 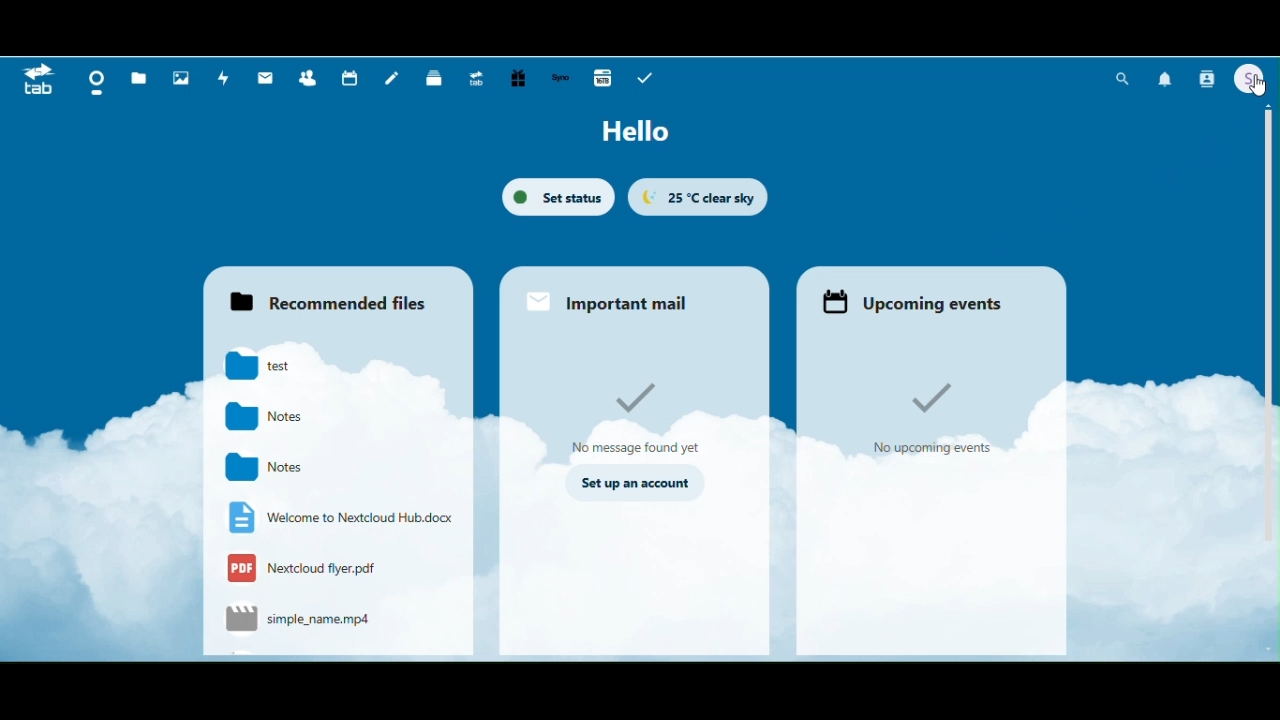 I want to click on No message found yet, so click(x=636, y=417).